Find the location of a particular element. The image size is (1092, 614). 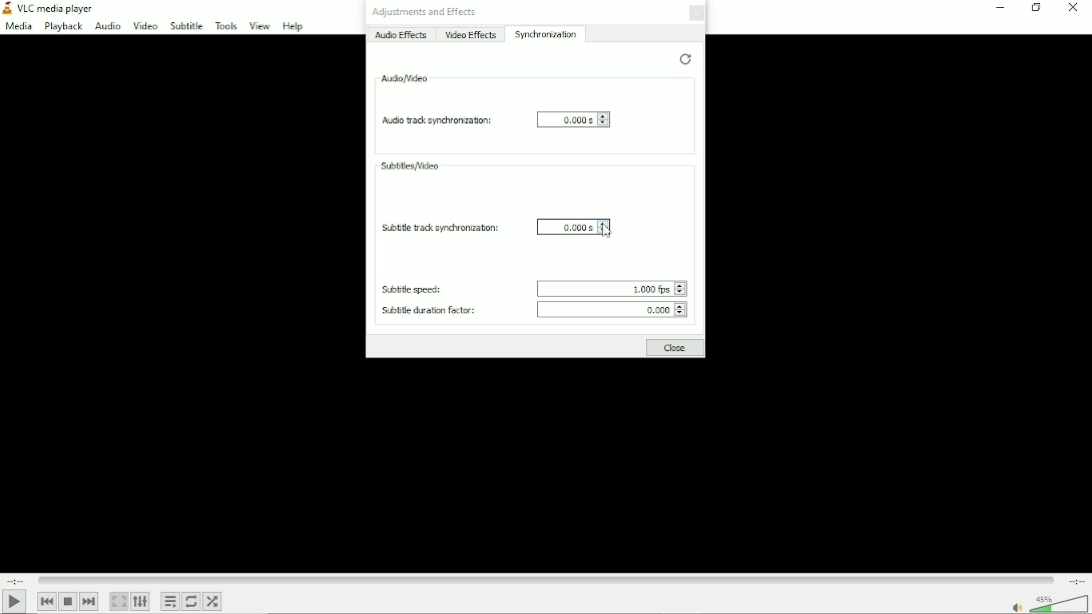

Subtitles/video is located at coordinates (410, 165).